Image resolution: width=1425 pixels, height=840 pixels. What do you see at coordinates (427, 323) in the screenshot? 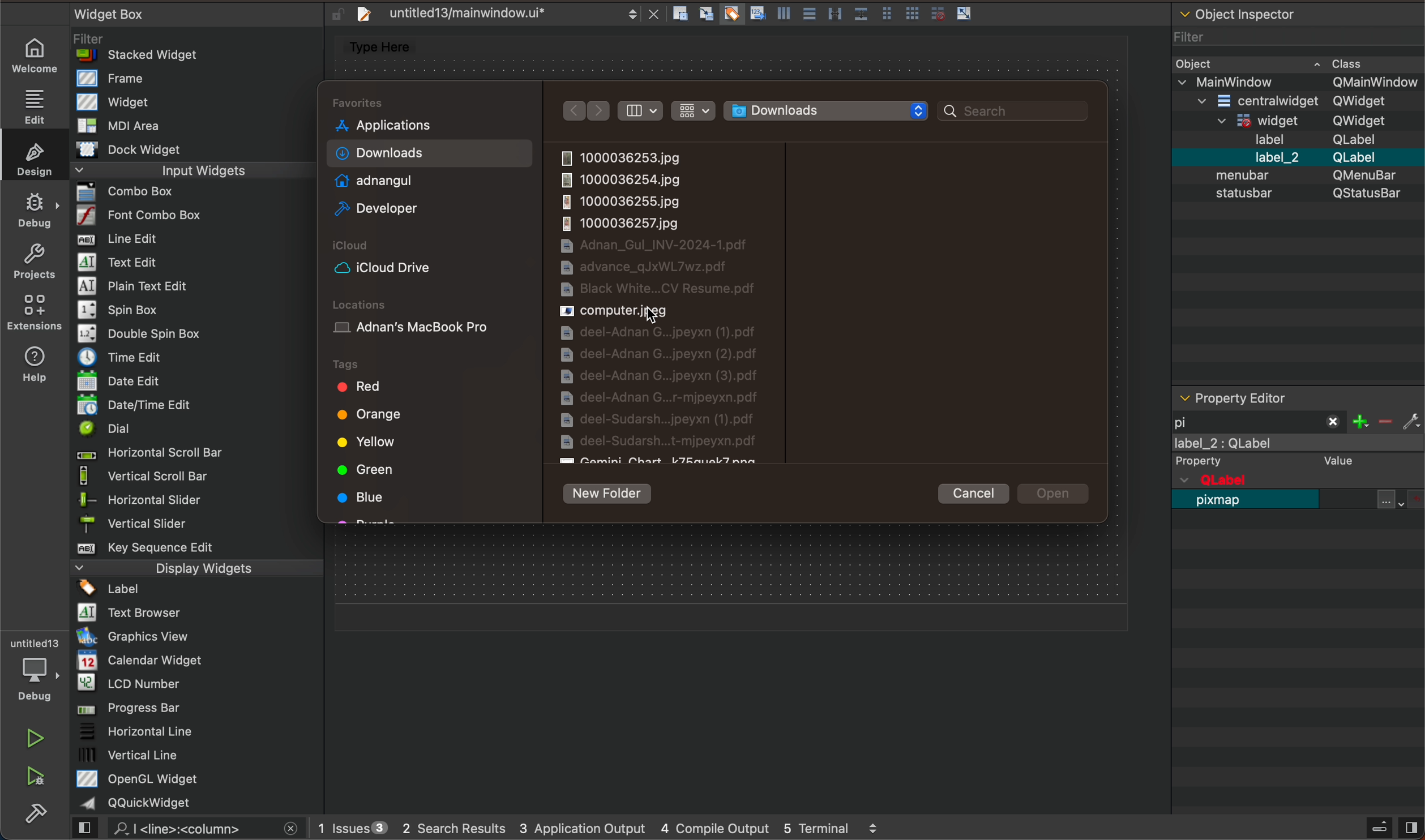
I see `location` at bounding box center [427, 323].